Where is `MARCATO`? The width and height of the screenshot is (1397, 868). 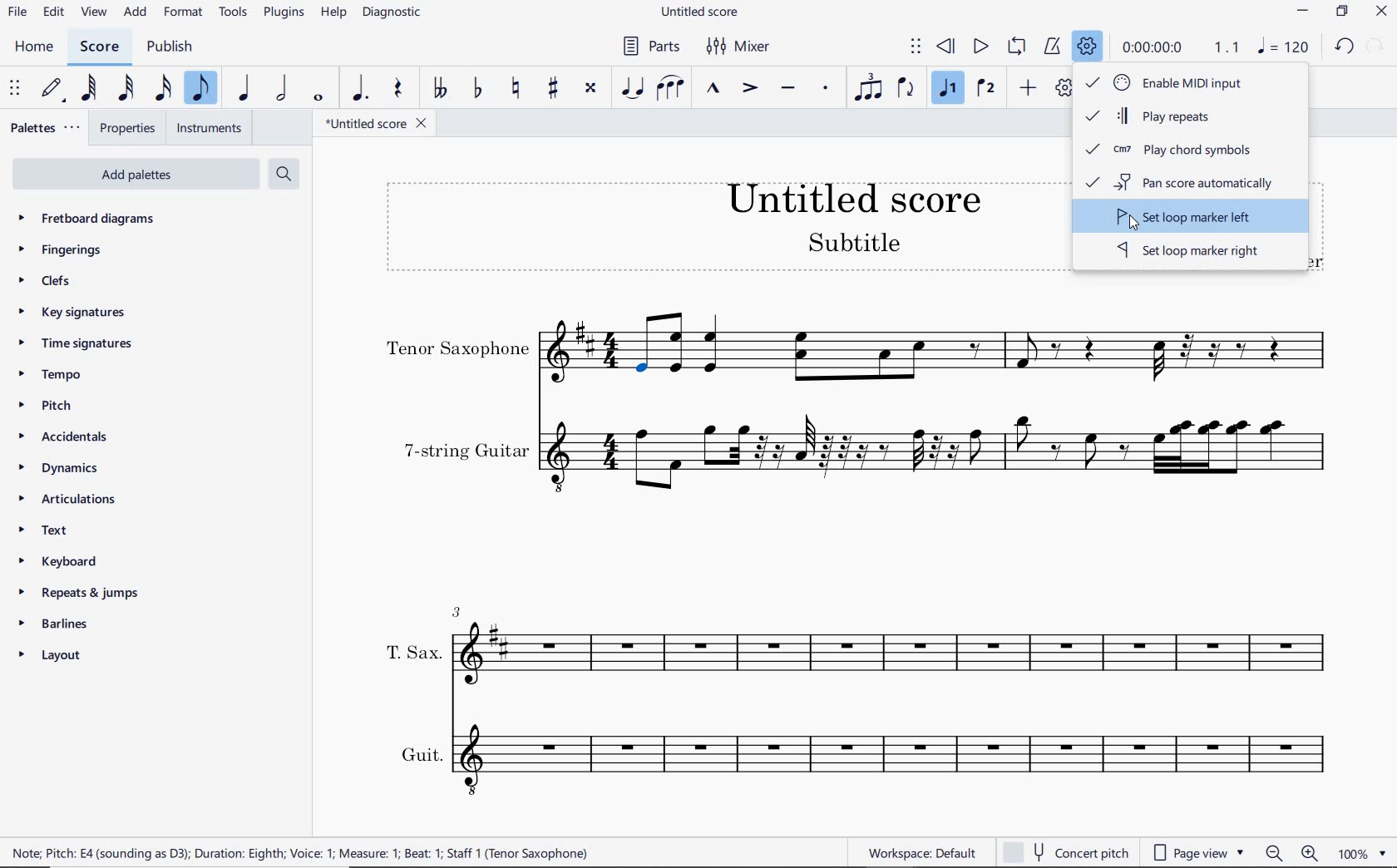 MARCATO is located at coordinates (713, 89).